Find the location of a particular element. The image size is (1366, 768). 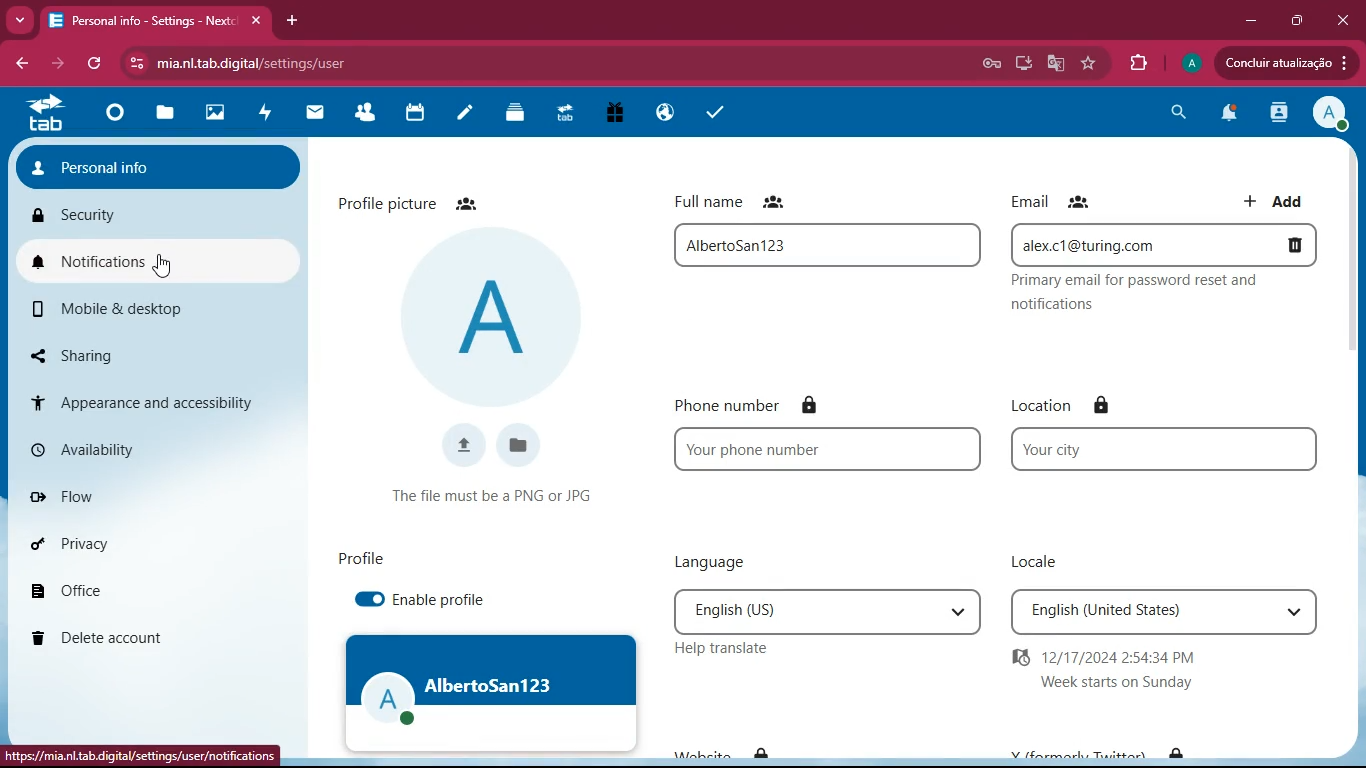

forward is located at coordinates (61, 64).